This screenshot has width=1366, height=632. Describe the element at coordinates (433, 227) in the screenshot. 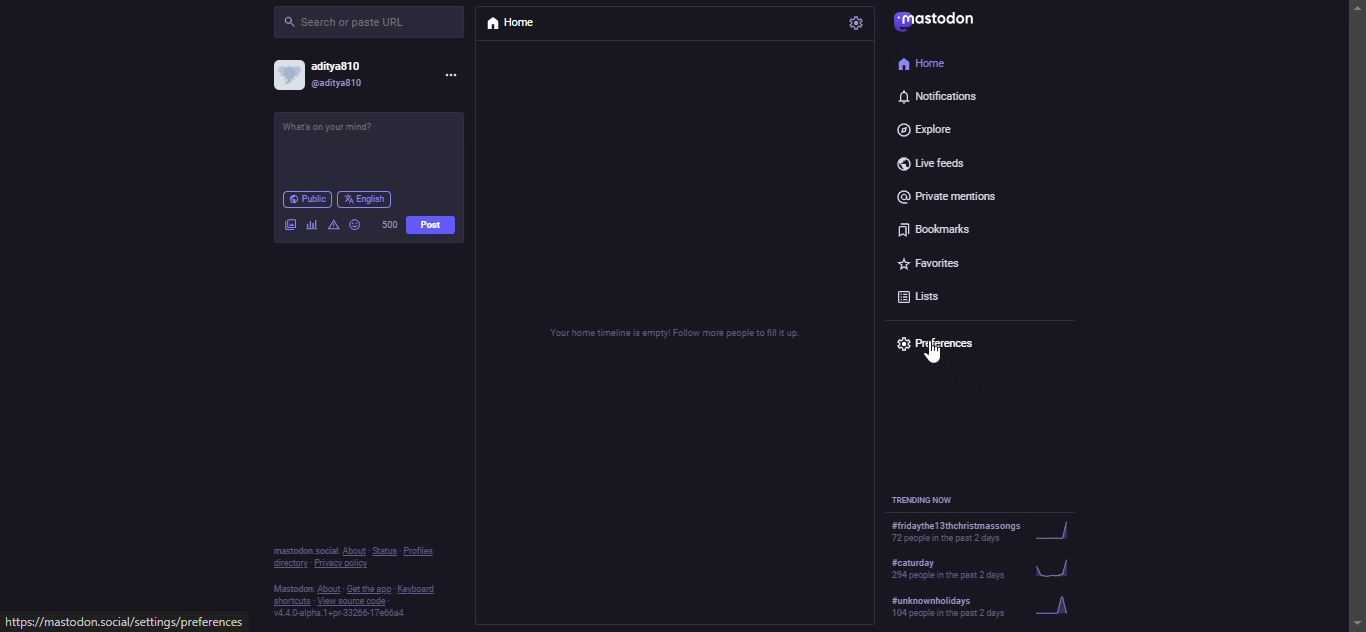

I see `post` at that location.